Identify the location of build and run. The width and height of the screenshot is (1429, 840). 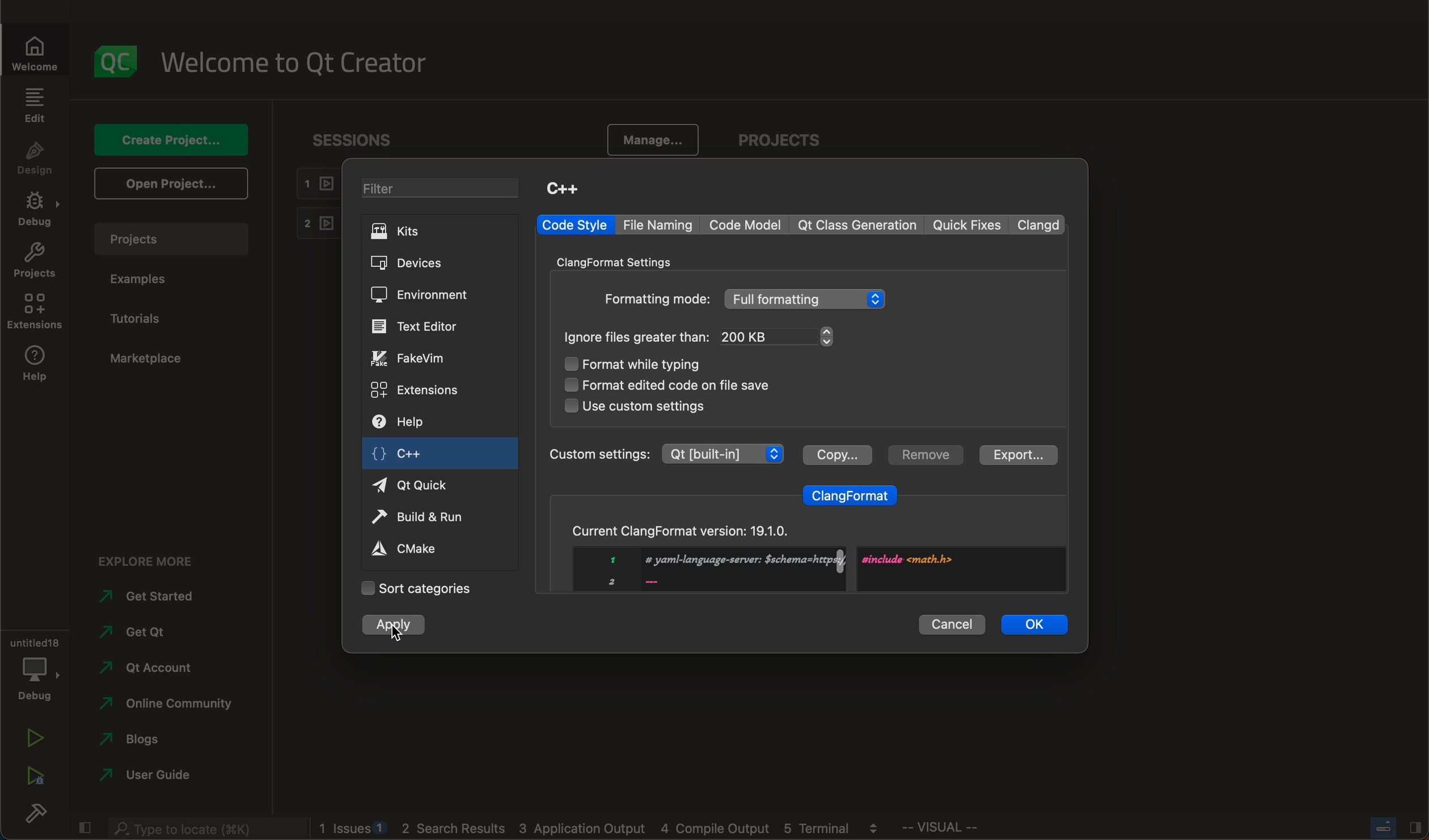
(423, 519).